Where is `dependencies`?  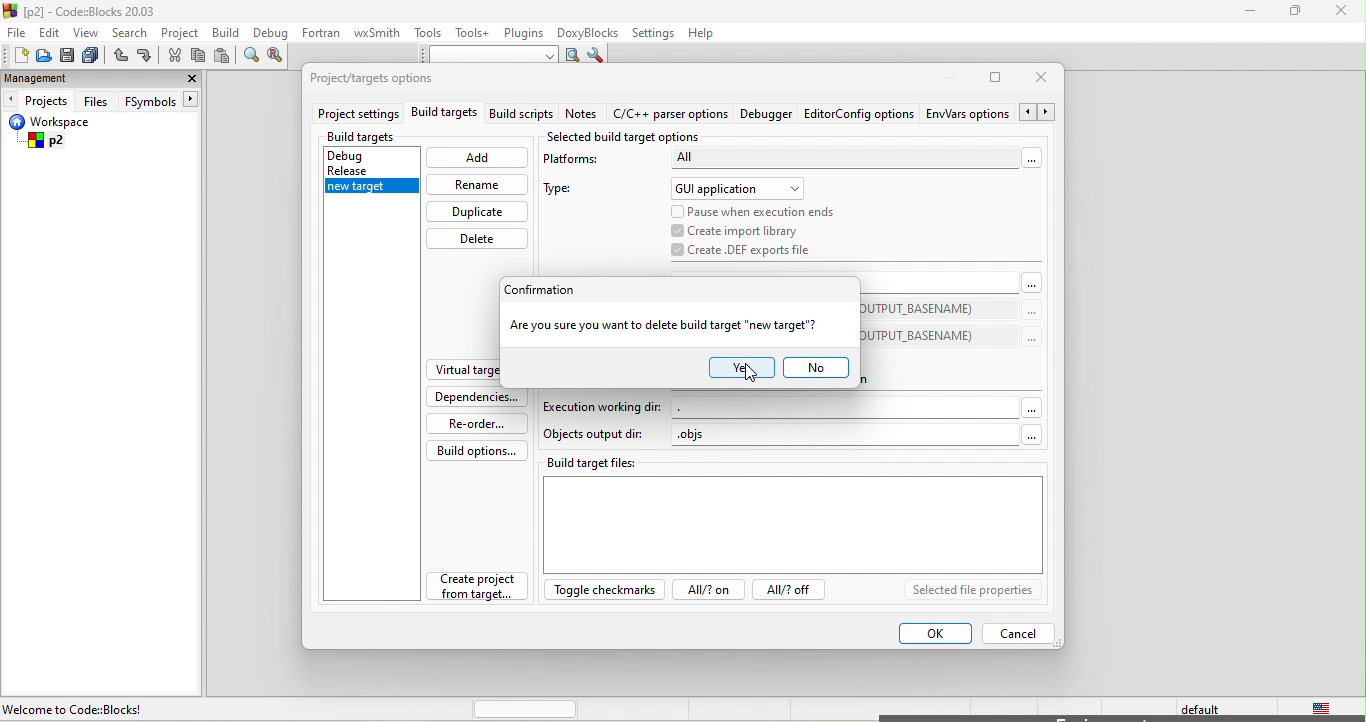
dependencies is located at coordinates (478, 398).